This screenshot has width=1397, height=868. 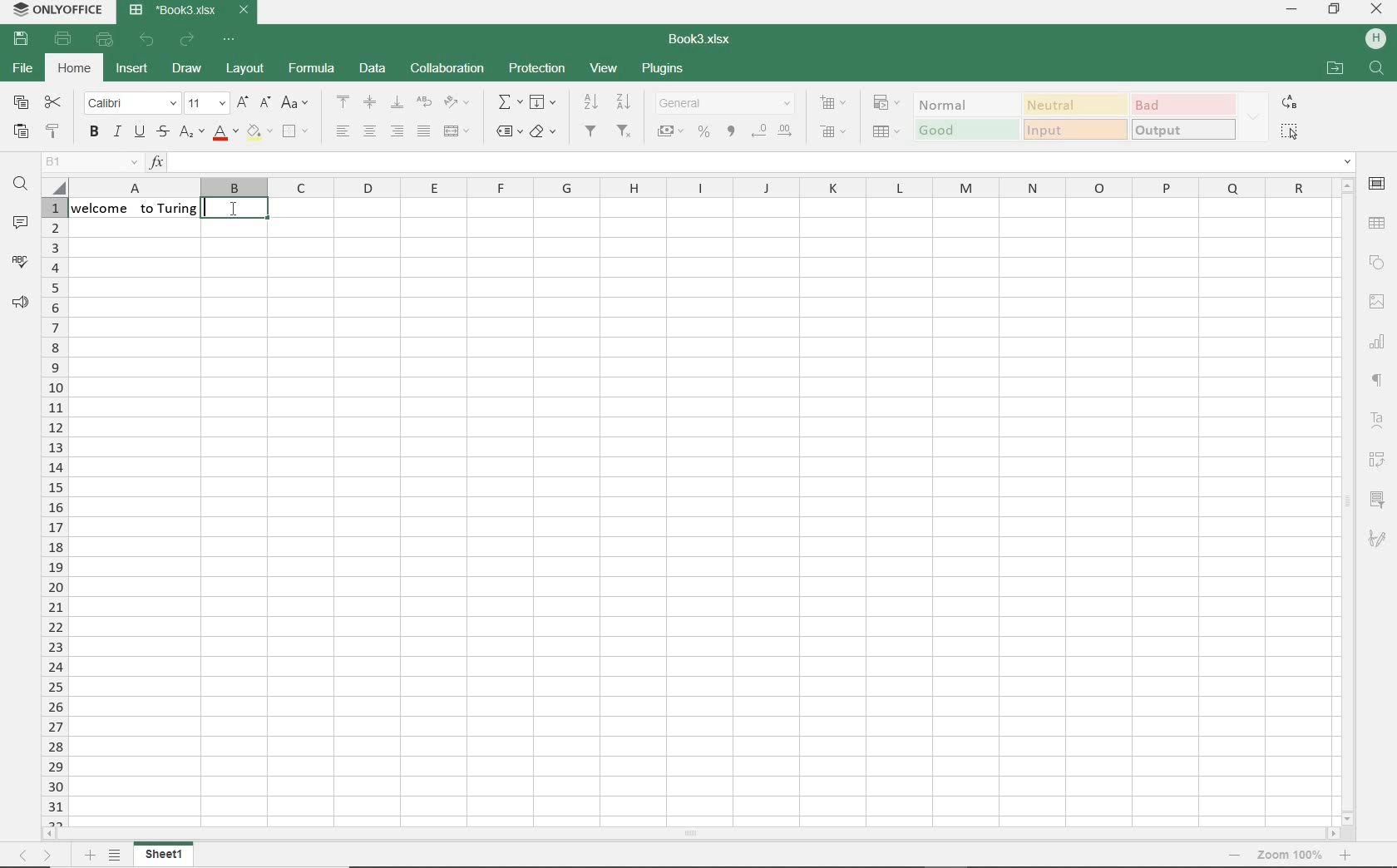 What do you see at coordinates (507, 133) in the screenshot?
I see `named ranges` at bounding box center [507, 133].